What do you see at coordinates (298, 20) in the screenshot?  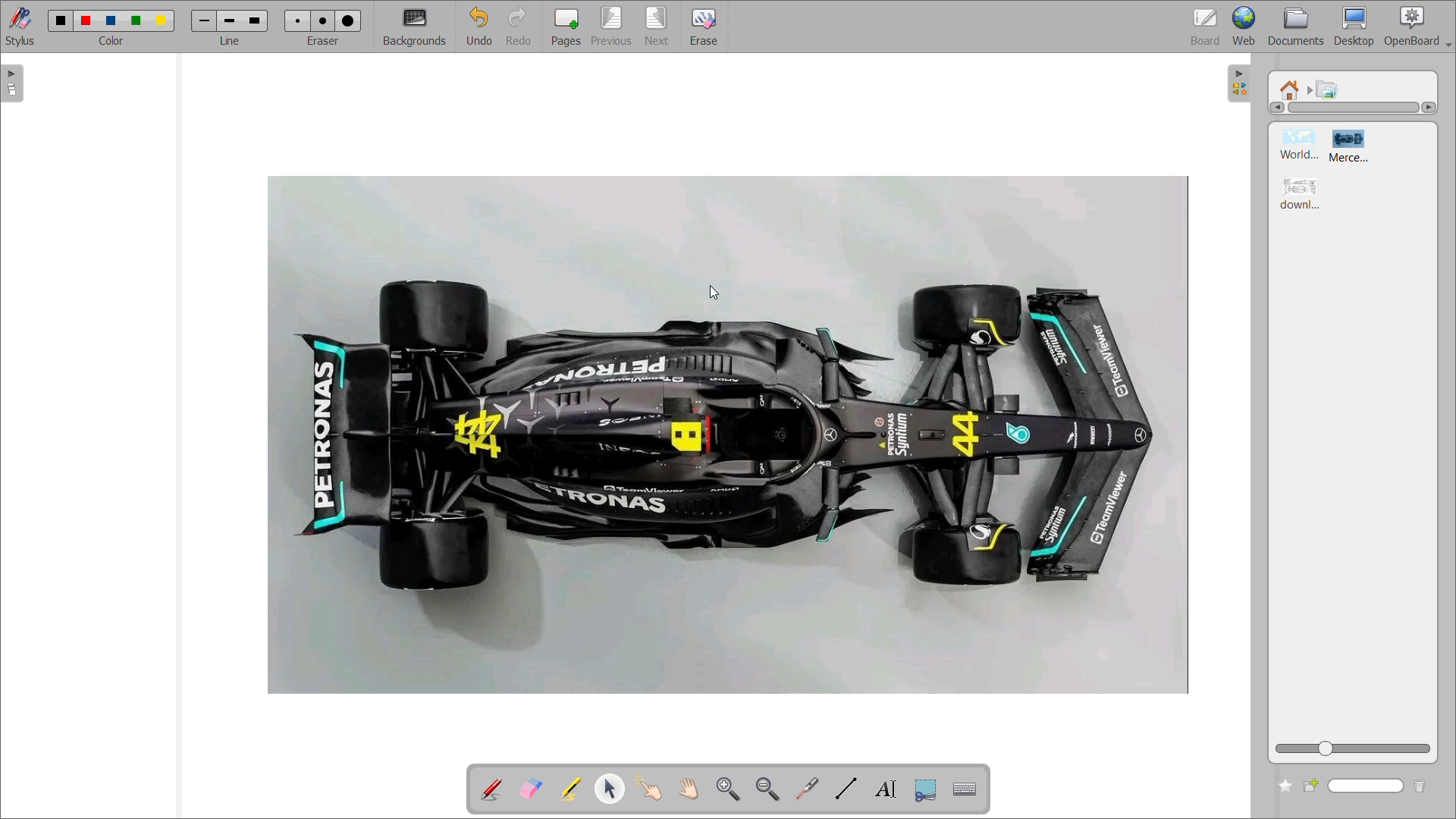 I see `eraser 1` at bounding box center [298, 20].